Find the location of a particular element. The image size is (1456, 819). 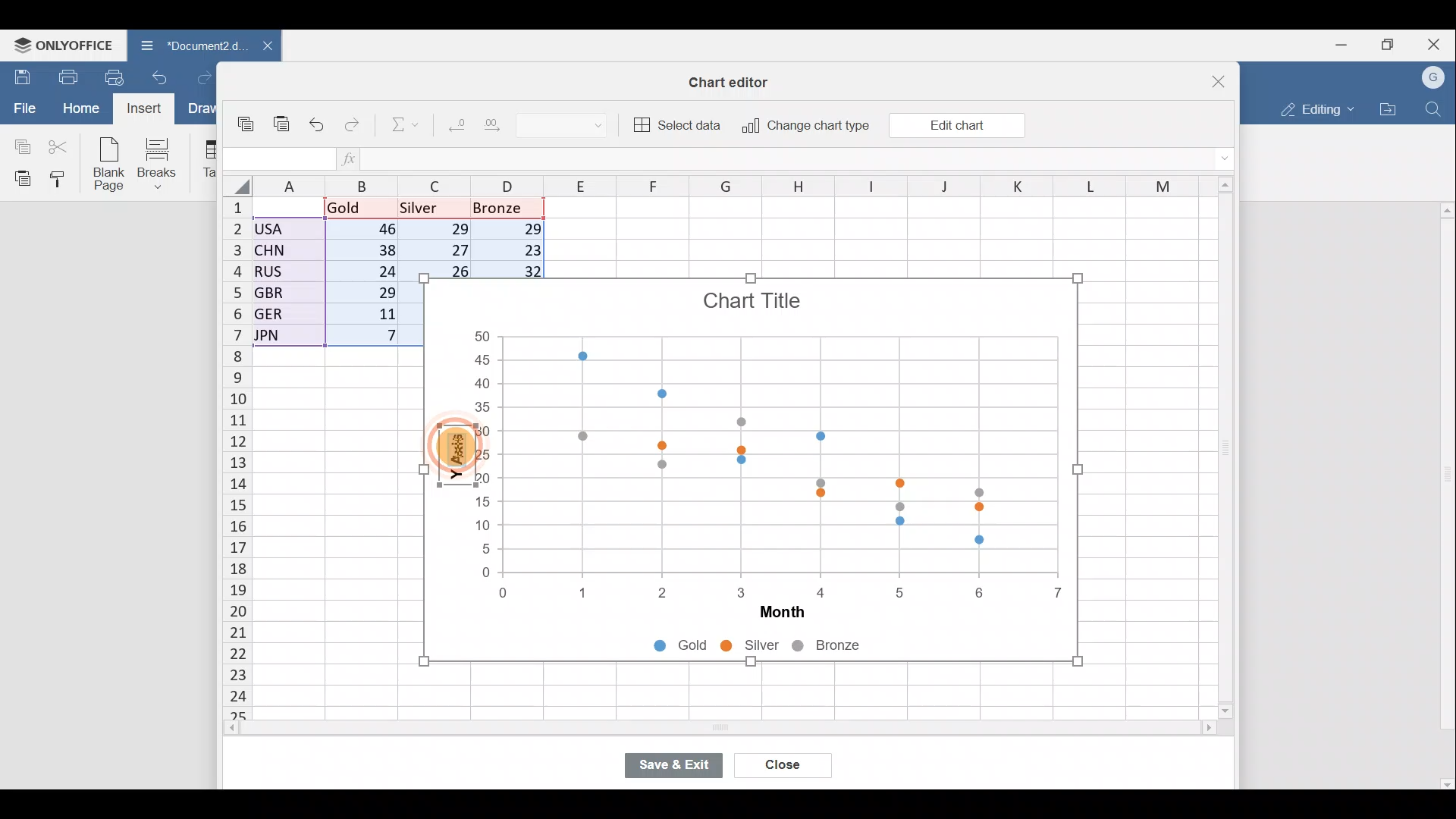

Number format is located at coordinates (573, 127).